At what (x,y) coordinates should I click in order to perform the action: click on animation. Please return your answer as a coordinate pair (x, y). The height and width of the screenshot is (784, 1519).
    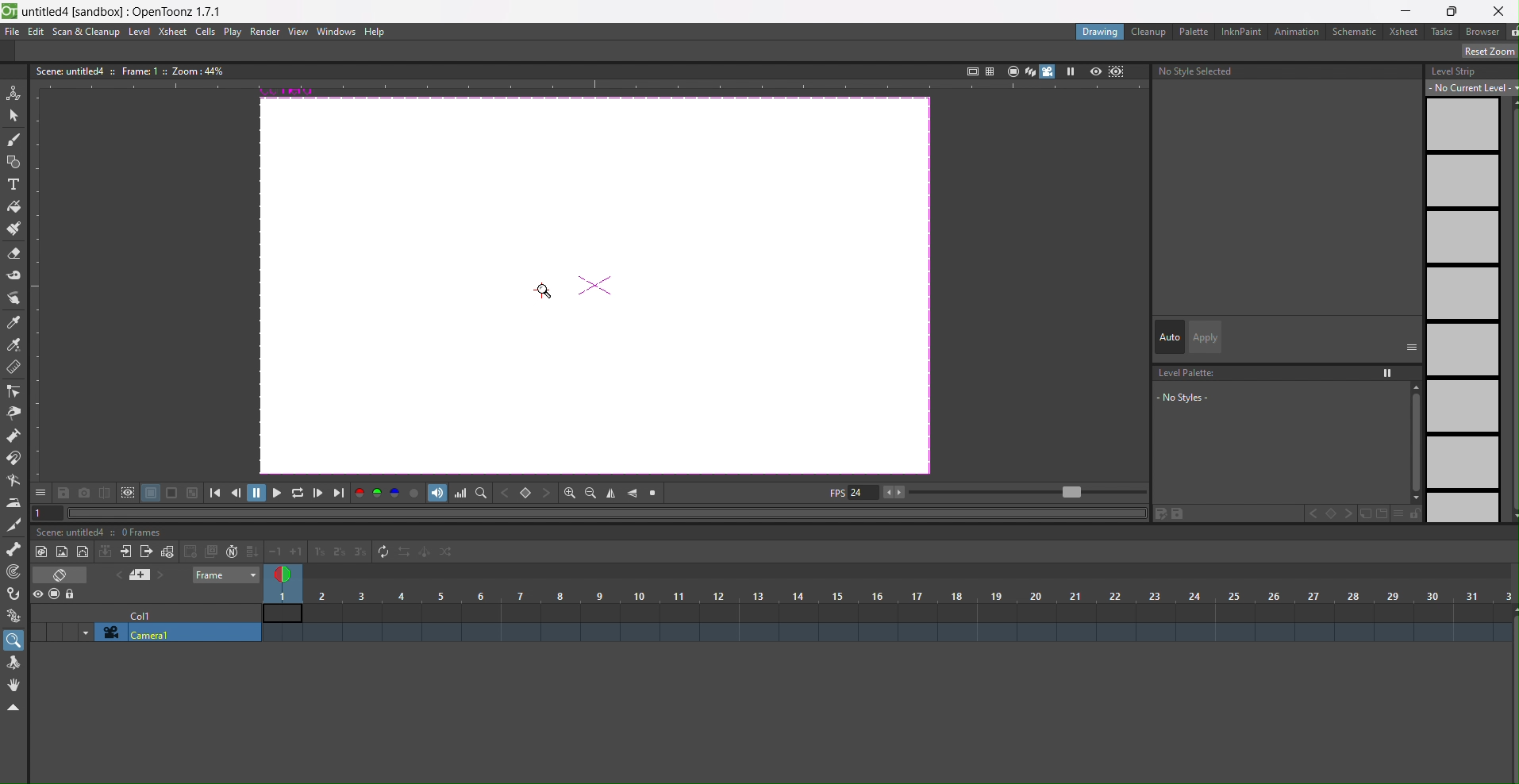
    Looking at the image, I should click on (1298, 31).